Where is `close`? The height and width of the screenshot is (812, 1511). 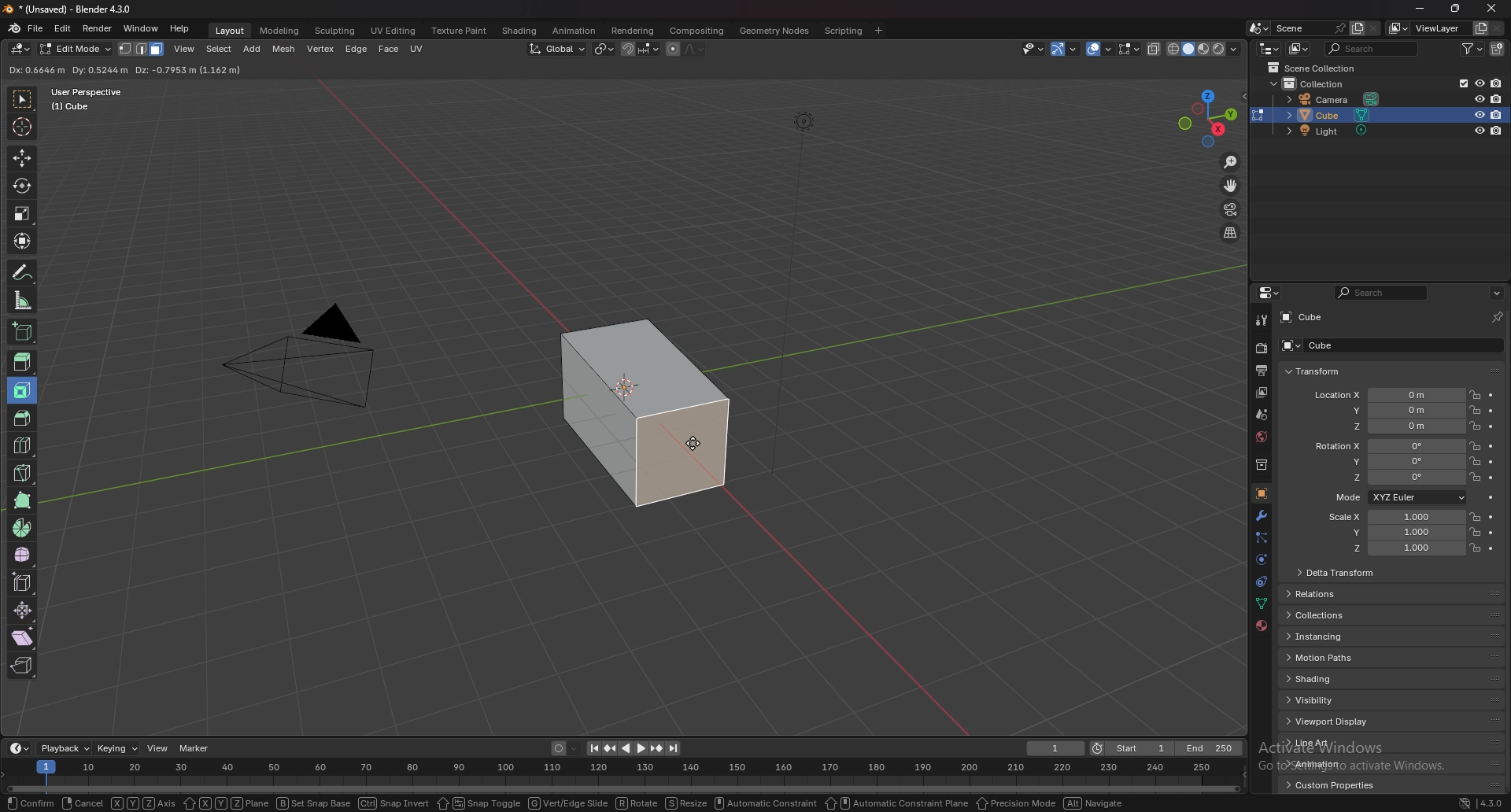
close is located at coordinates (1493, 9).